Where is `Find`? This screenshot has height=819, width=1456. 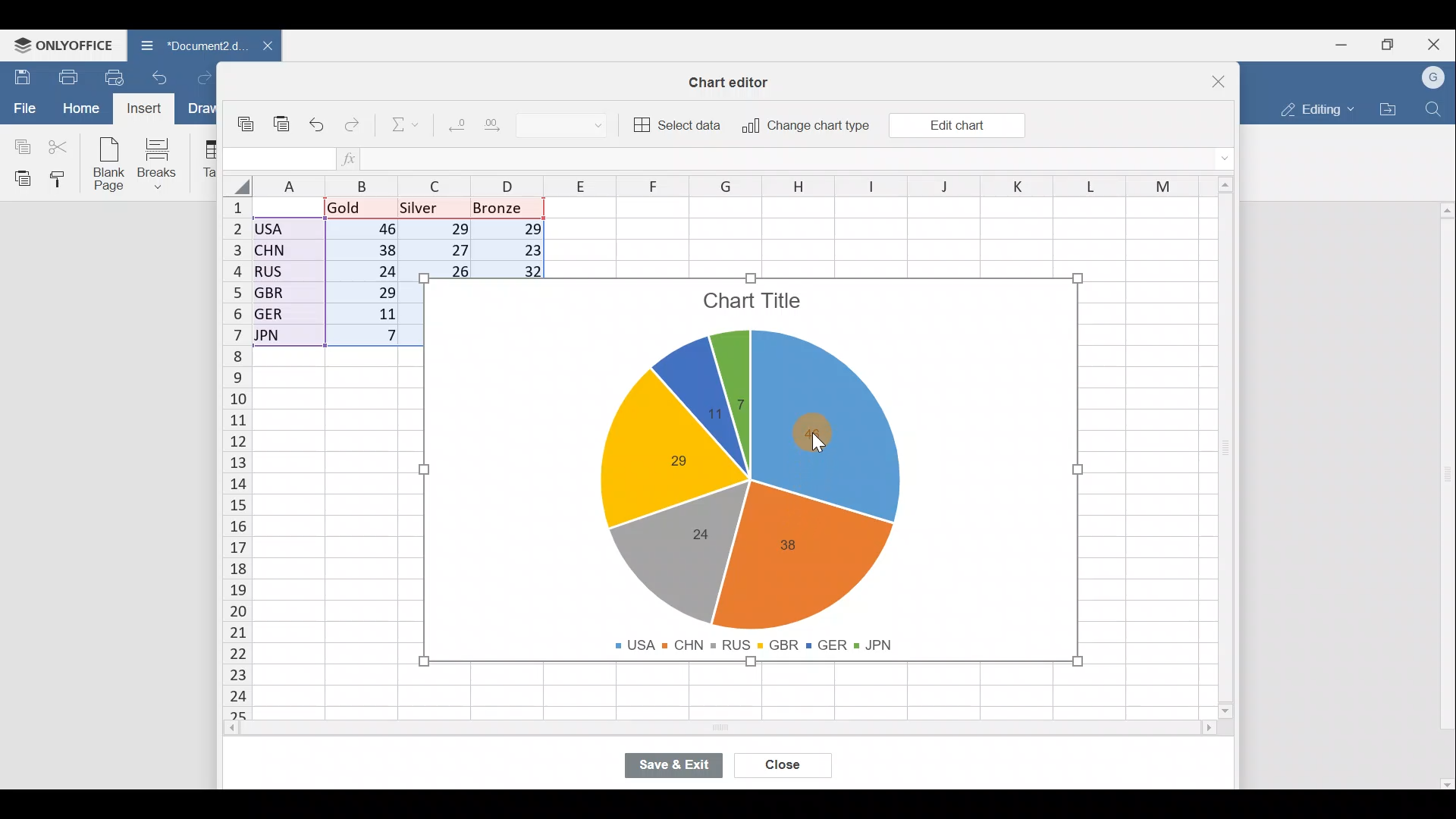 Find is located at coordinates (1436, 106).